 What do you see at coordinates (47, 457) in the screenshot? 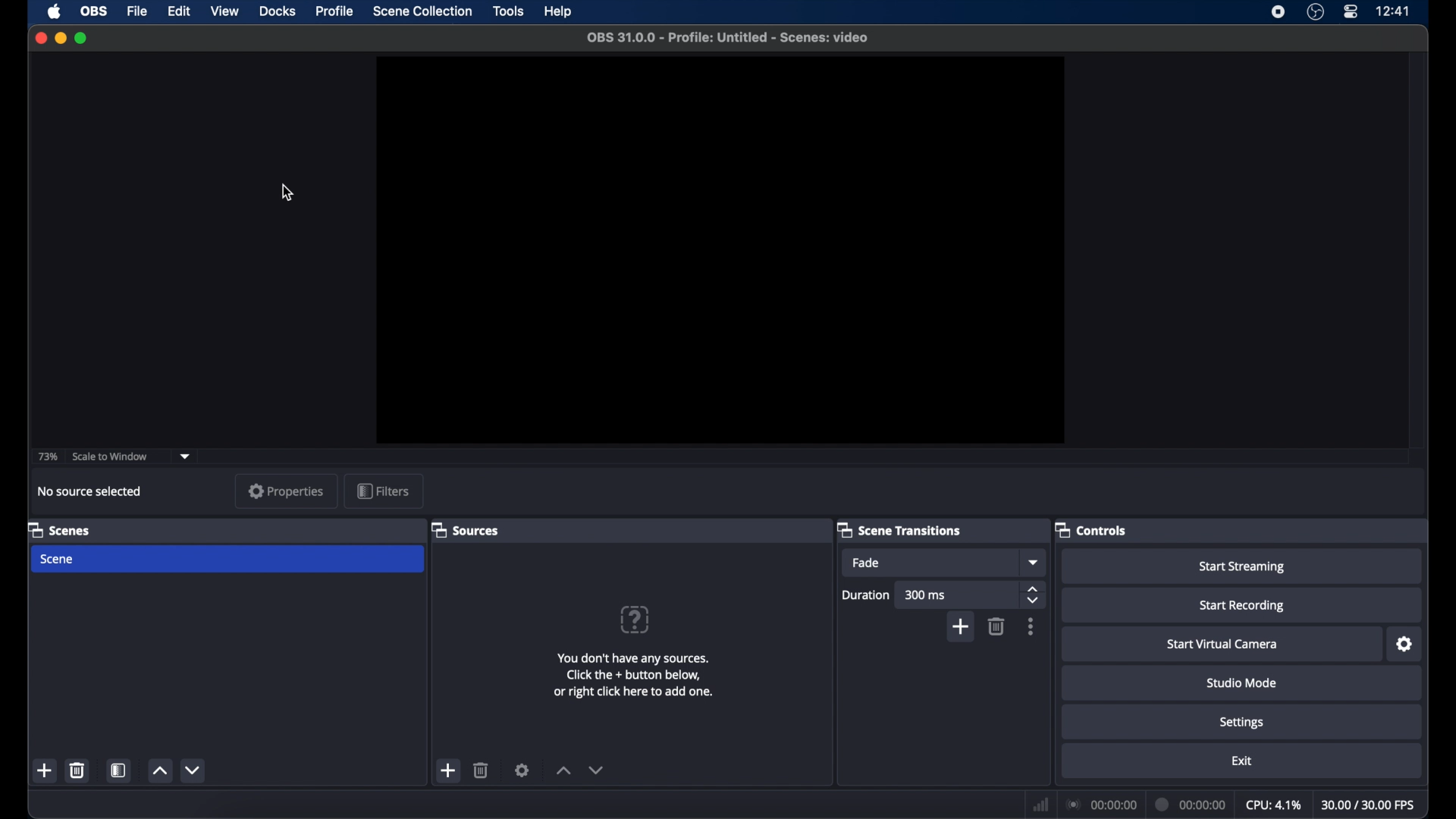
I see `73%` at bounding box center [47, 457].